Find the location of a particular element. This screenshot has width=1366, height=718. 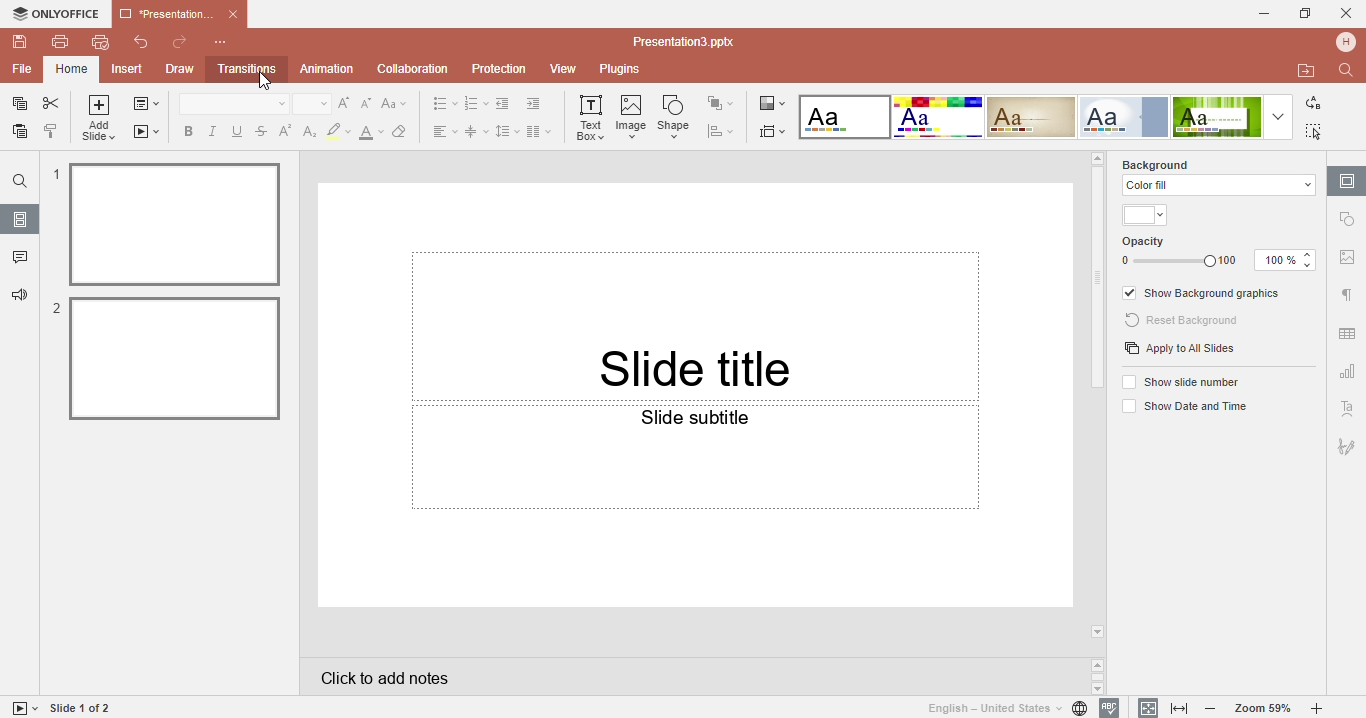

Basic is located at coordinates (937, 117).